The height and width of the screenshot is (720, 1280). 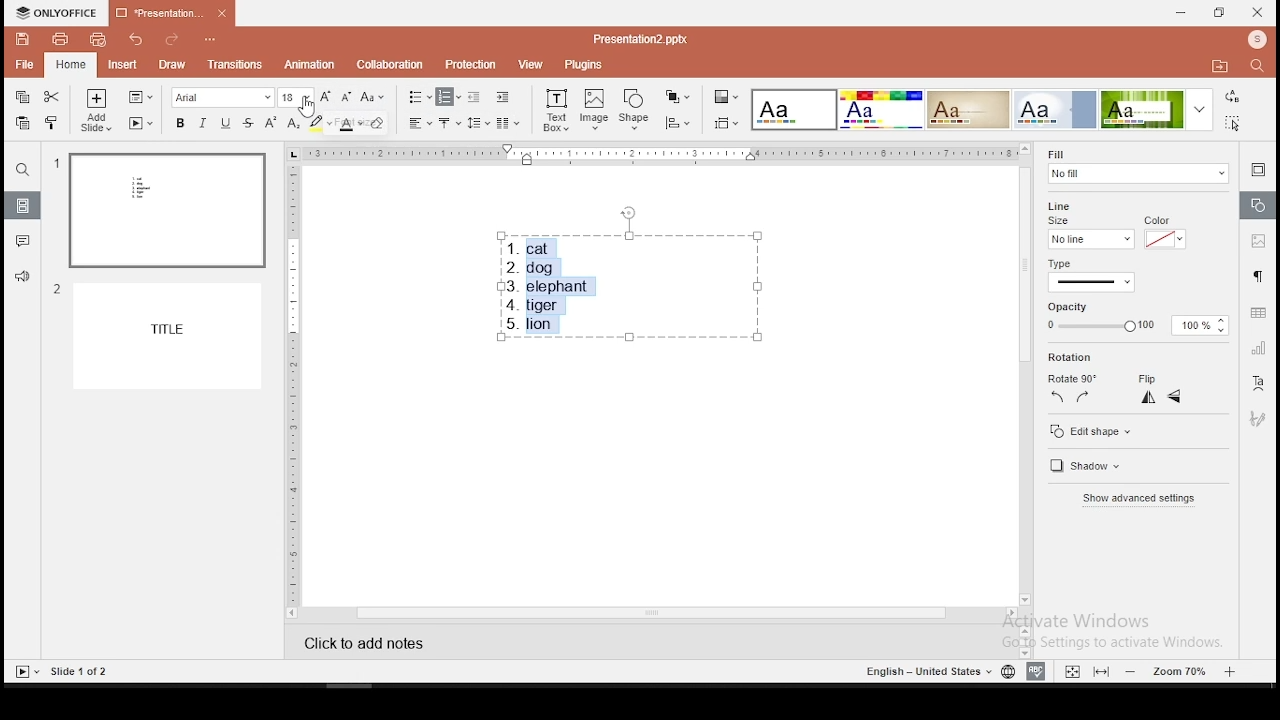 What do you see at coordinates (24, 671) in the screenshot?
I see `start slide show` at bounding box center [24, 671].